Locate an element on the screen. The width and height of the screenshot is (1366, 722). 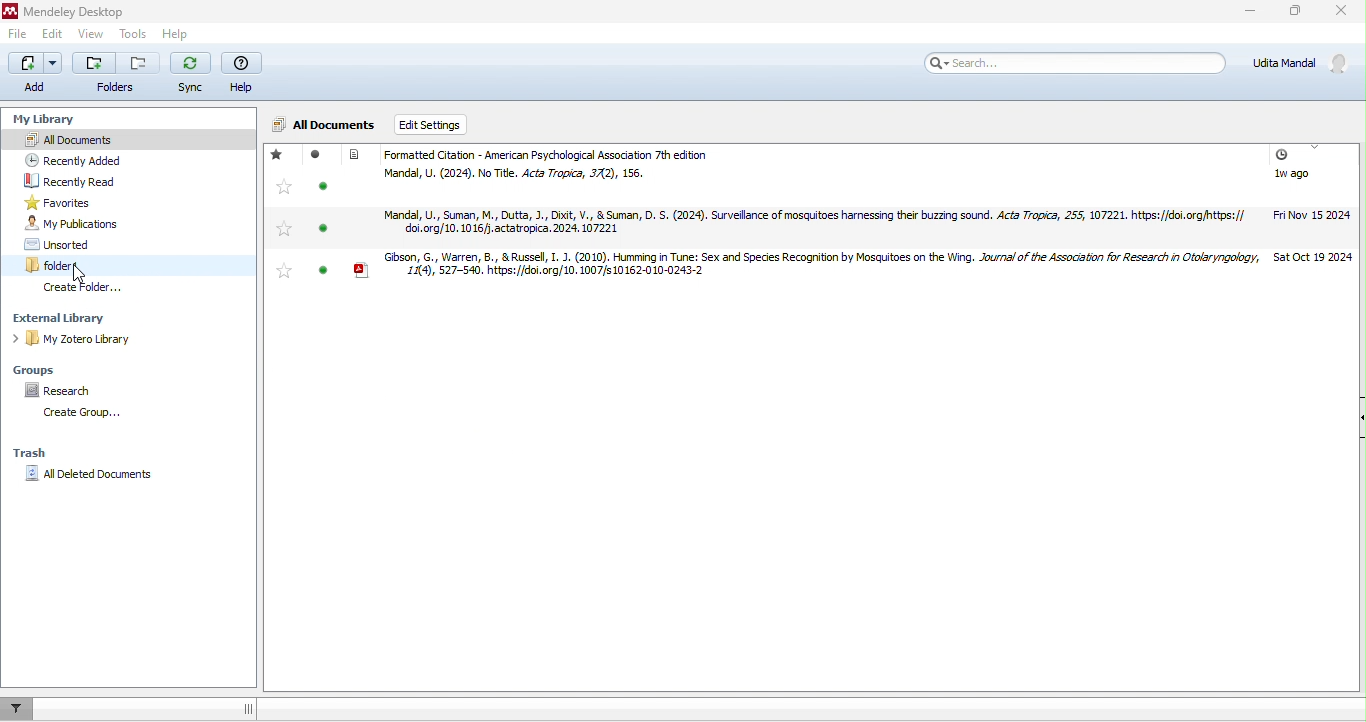
create group is located at coordinates (79, 412).